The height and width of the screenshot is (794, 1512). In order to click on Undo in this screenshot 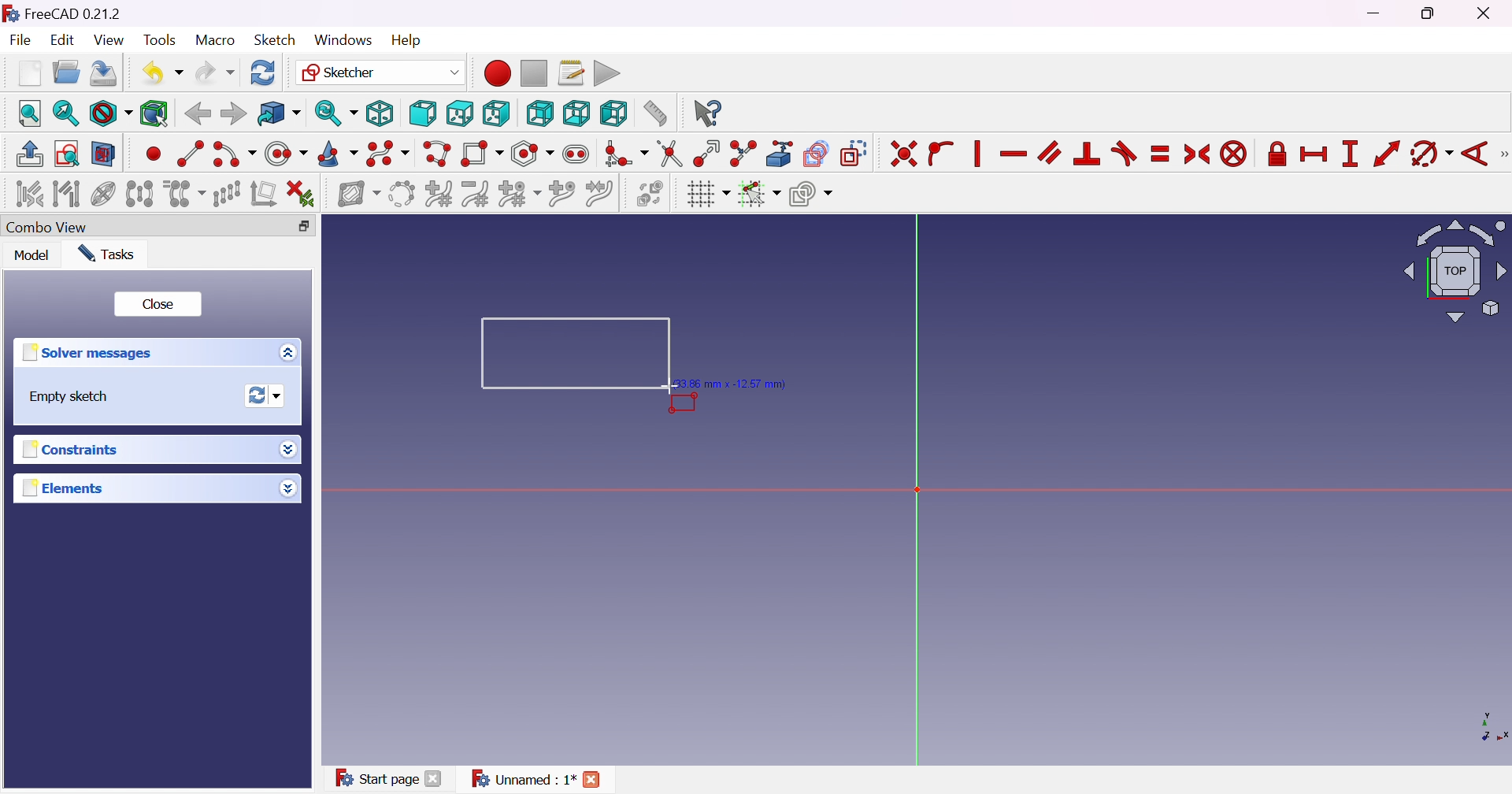, I will do `click(161, 72)`.